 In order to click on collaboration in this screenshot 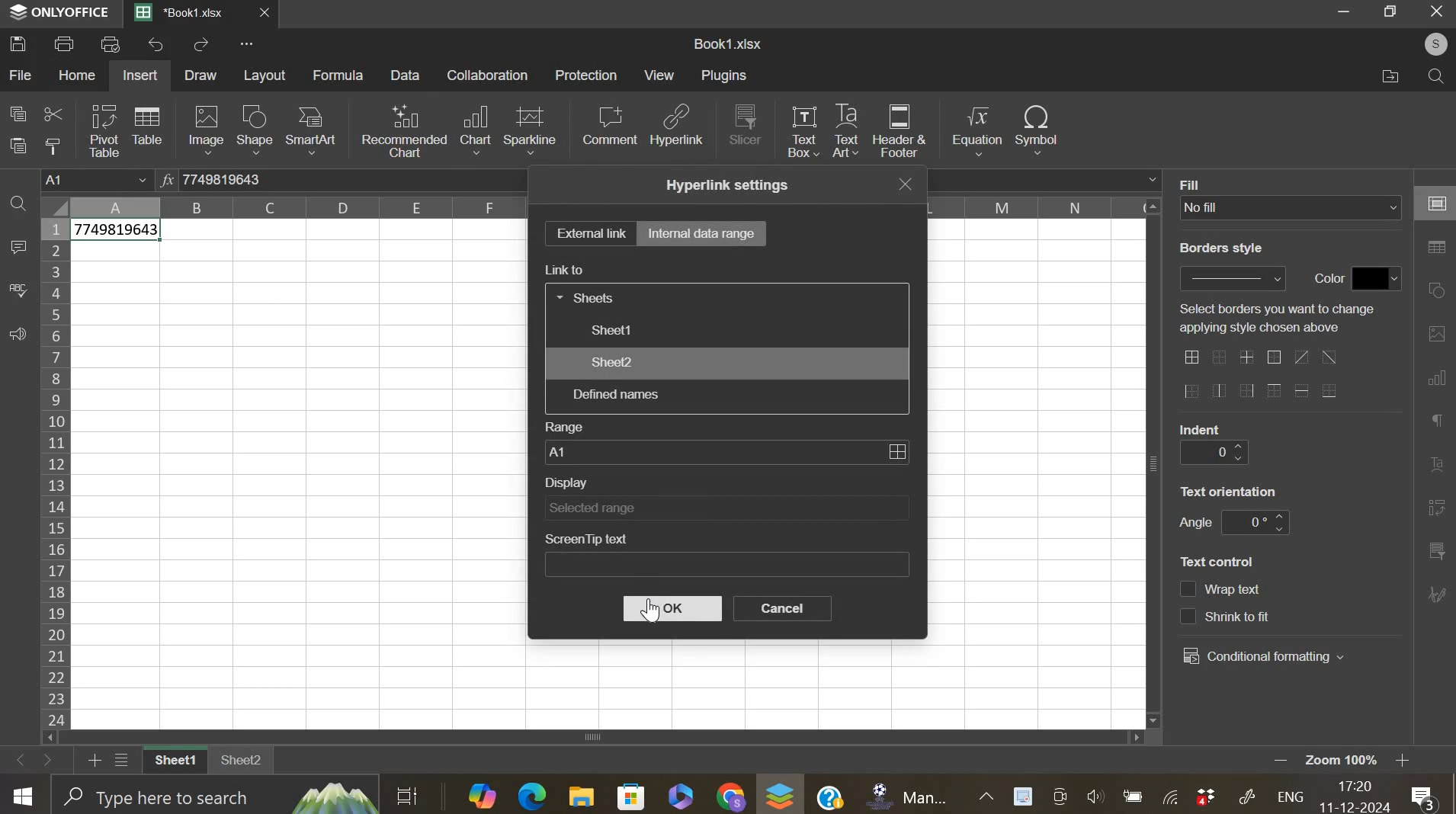, I will do `click(489, 75)`.